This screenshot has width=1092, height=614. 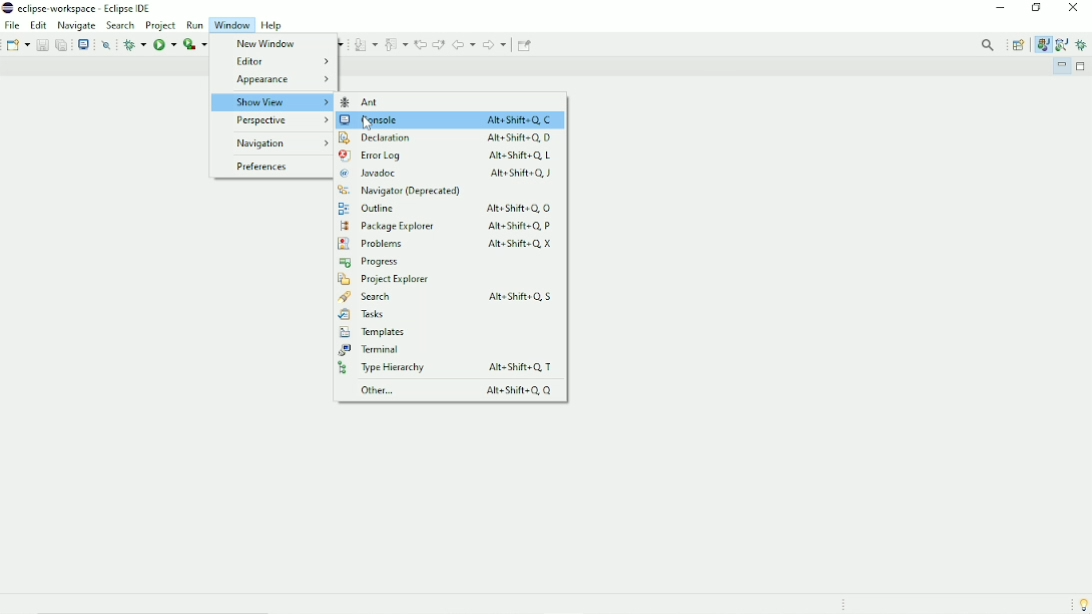 What do you see at coordinates (526, 44) in the screenshot?
I see `Pin Editor` at bounding box center [526, 44].